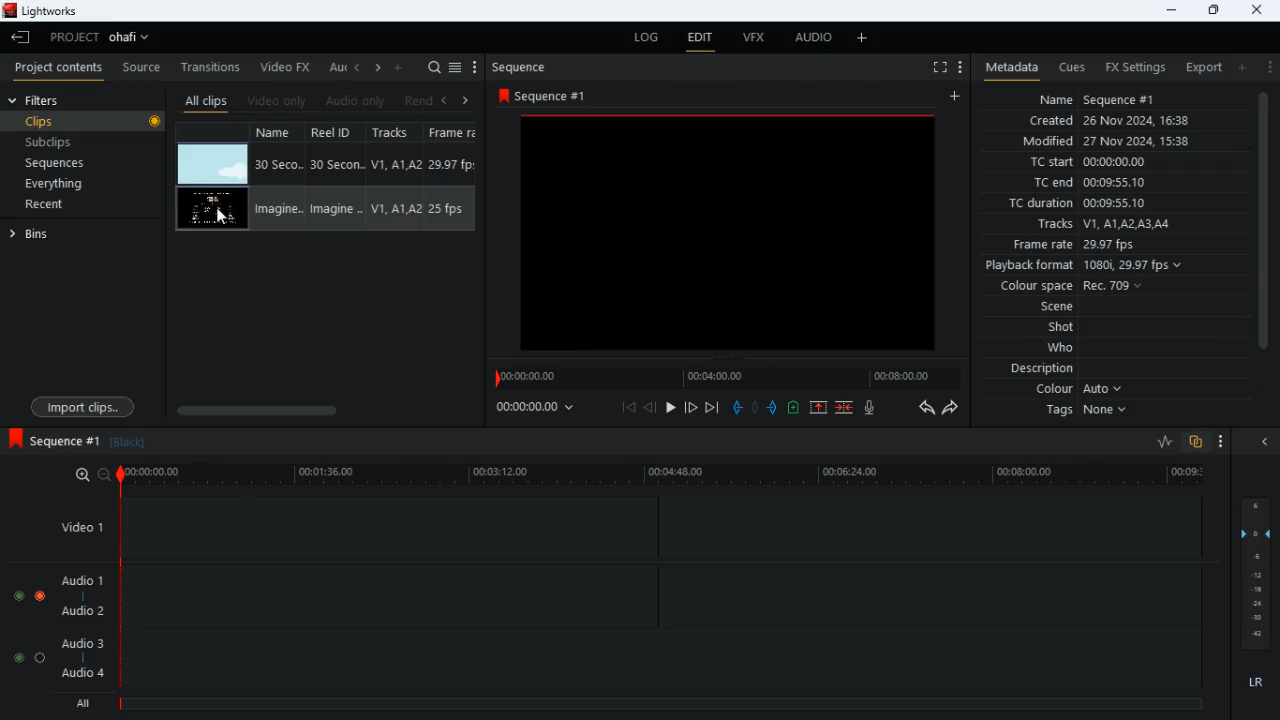  Describe the element at coordinates (874, 409) in the screenshot. I see `mic` at that location.